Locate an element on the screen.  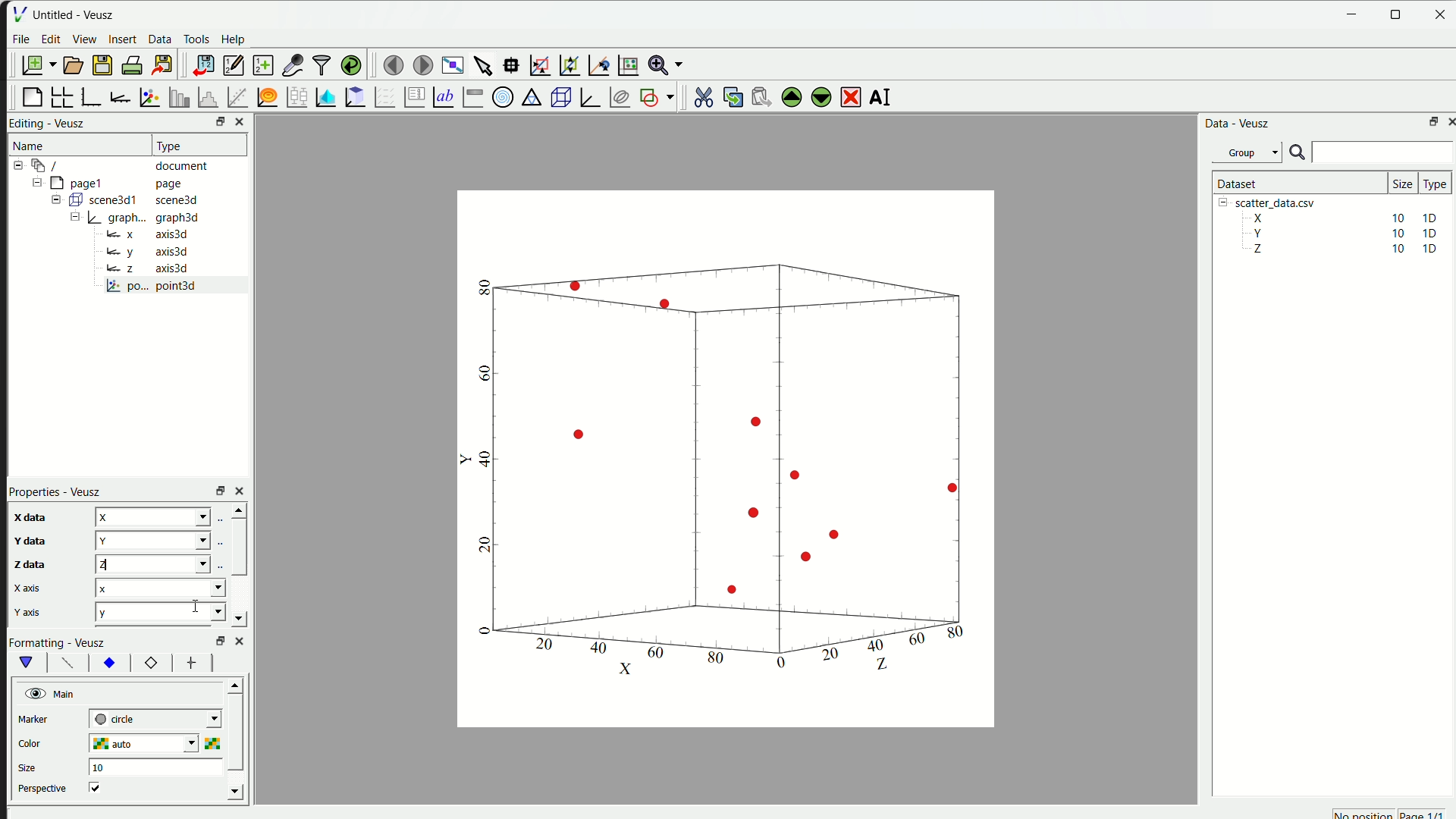
font is located at coordinates (65, 663).